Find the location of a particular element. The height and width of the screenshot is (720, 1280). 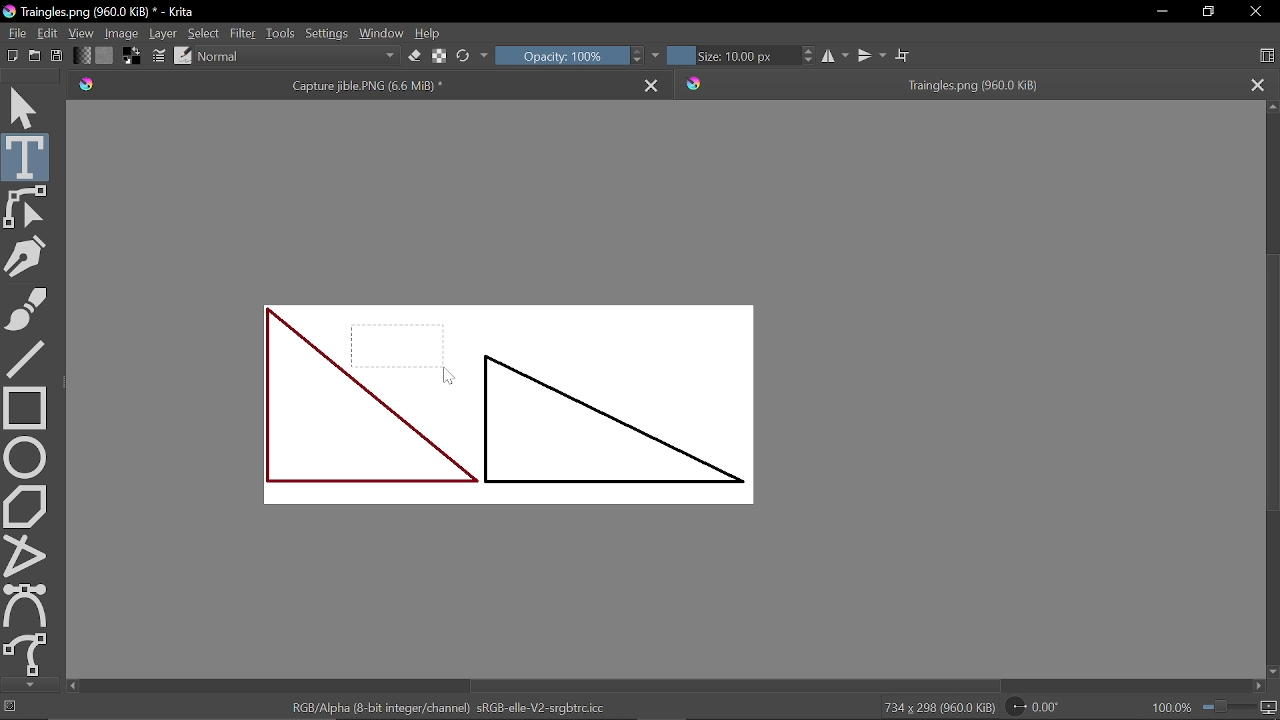

Layer is located at coordinates (163, 34).